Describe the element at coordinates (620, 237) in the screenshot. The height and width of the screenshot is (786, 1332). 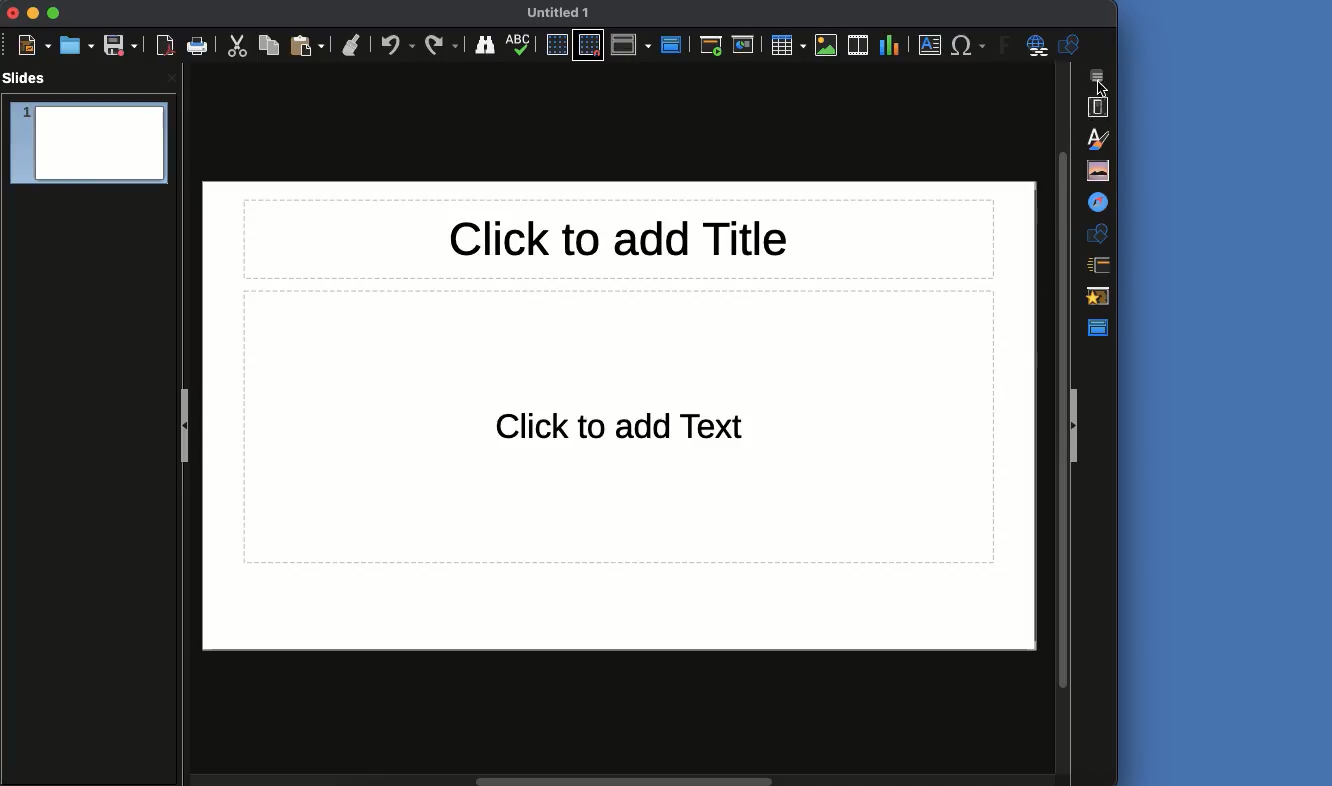
I see `Title` at that location.